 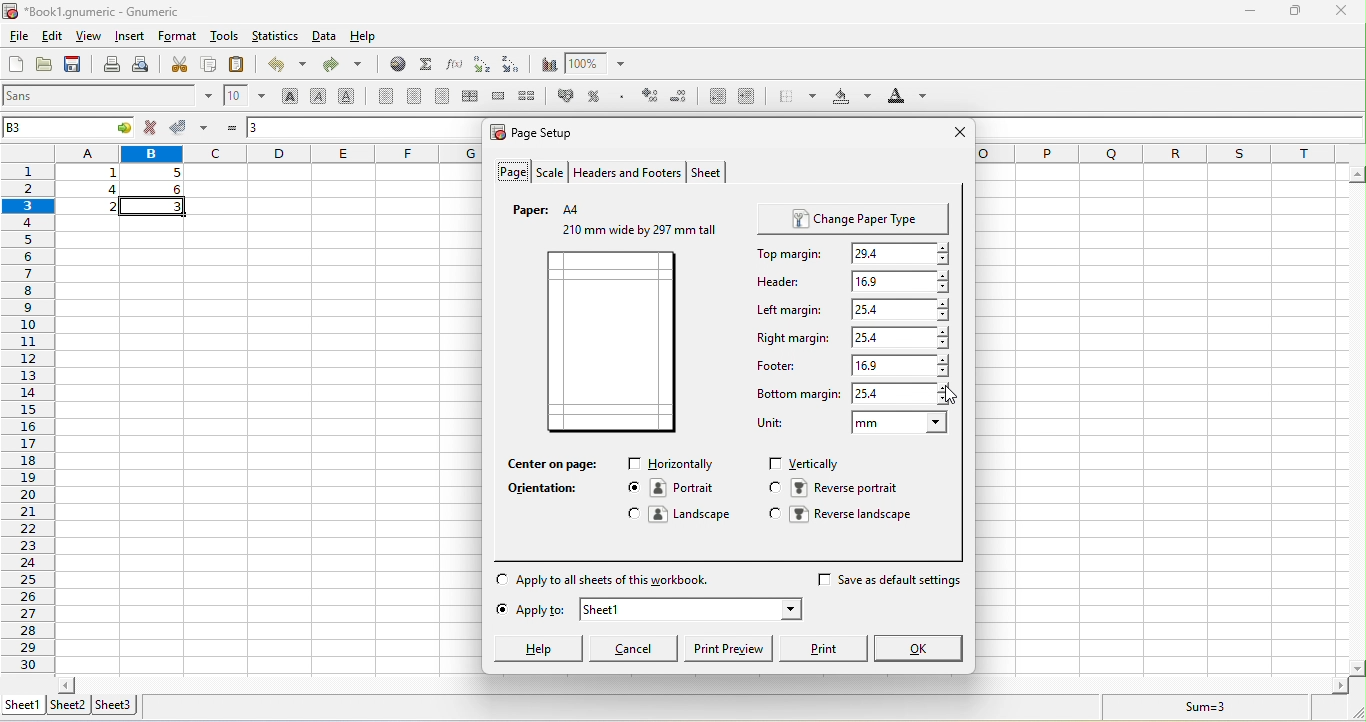 I want to click on split a merged cells, so click(x=531, y=96).